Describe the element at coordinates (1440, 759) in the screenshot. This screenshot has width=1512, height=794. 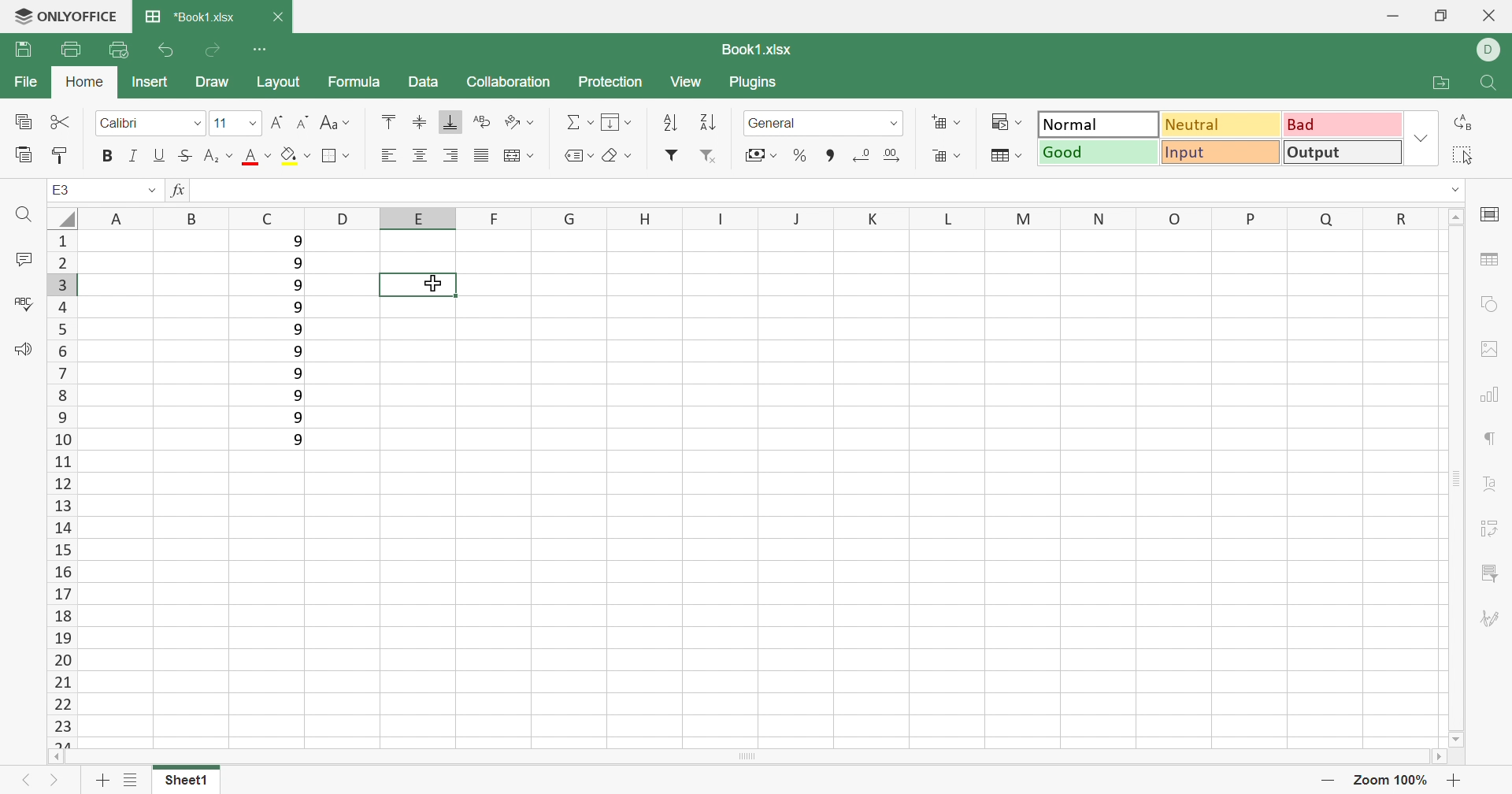
I see `Scroll Right` at that location.